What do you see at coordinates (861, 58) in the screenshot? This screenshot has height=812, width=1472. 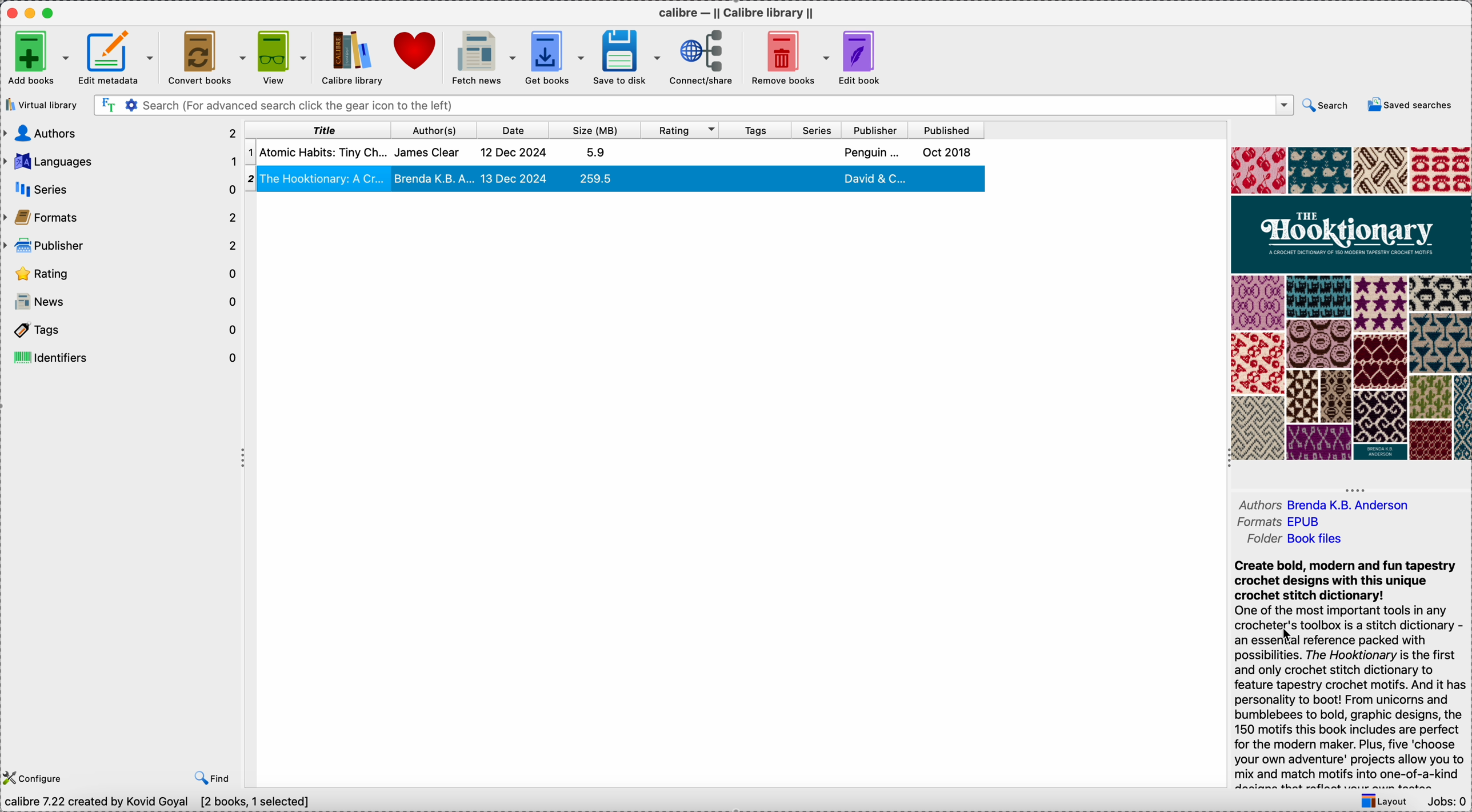 I see `edit book` at bounding box center [861, 58].